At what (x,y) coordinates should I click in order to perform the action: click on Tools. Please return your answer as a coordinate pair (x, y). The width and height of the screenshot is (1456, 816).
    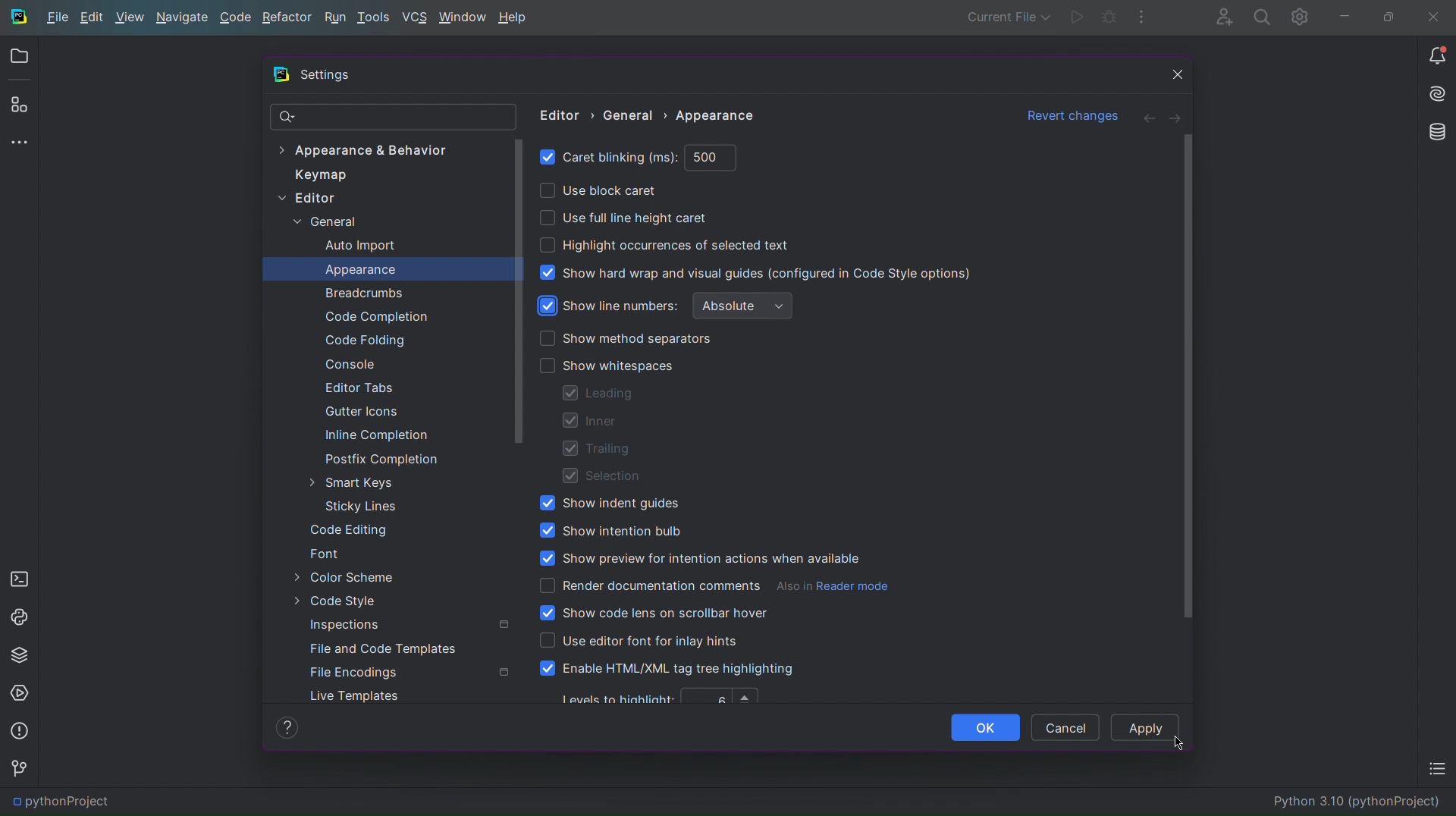
    Looking at the image, I should click on (375, 17).